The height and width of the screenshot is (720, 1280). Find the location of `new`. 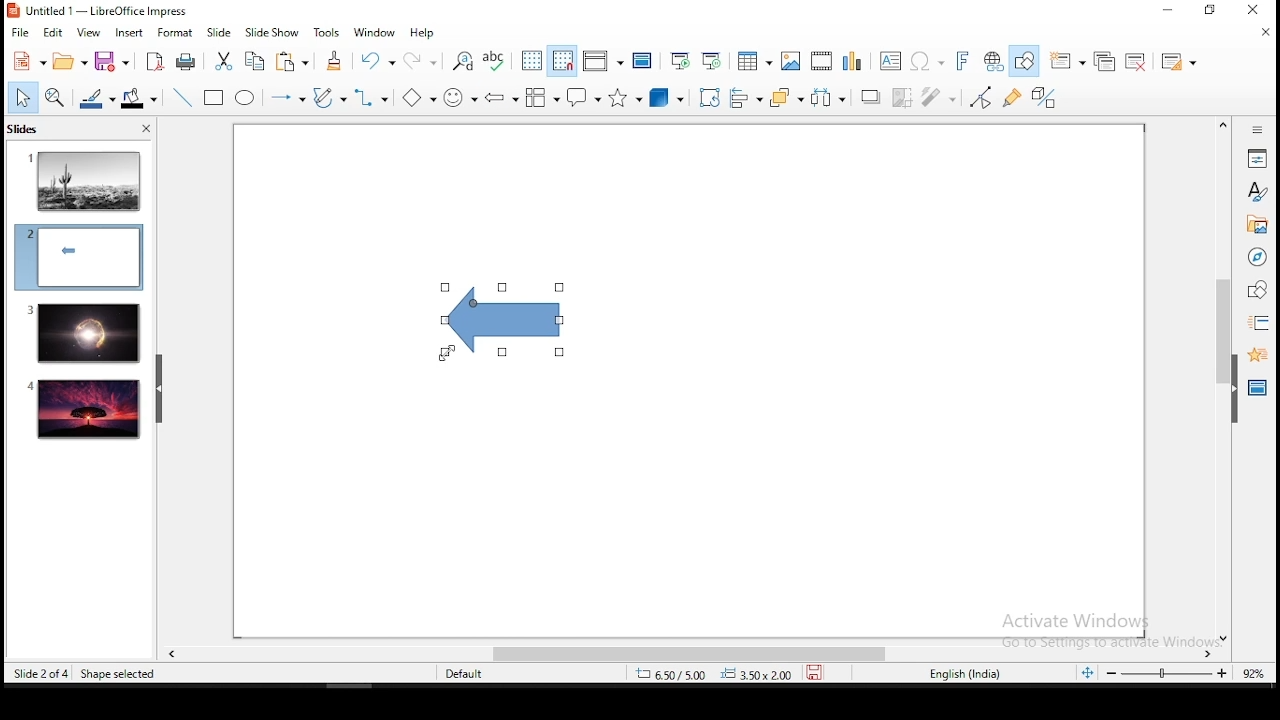

new is located at coordinates (25, 61).